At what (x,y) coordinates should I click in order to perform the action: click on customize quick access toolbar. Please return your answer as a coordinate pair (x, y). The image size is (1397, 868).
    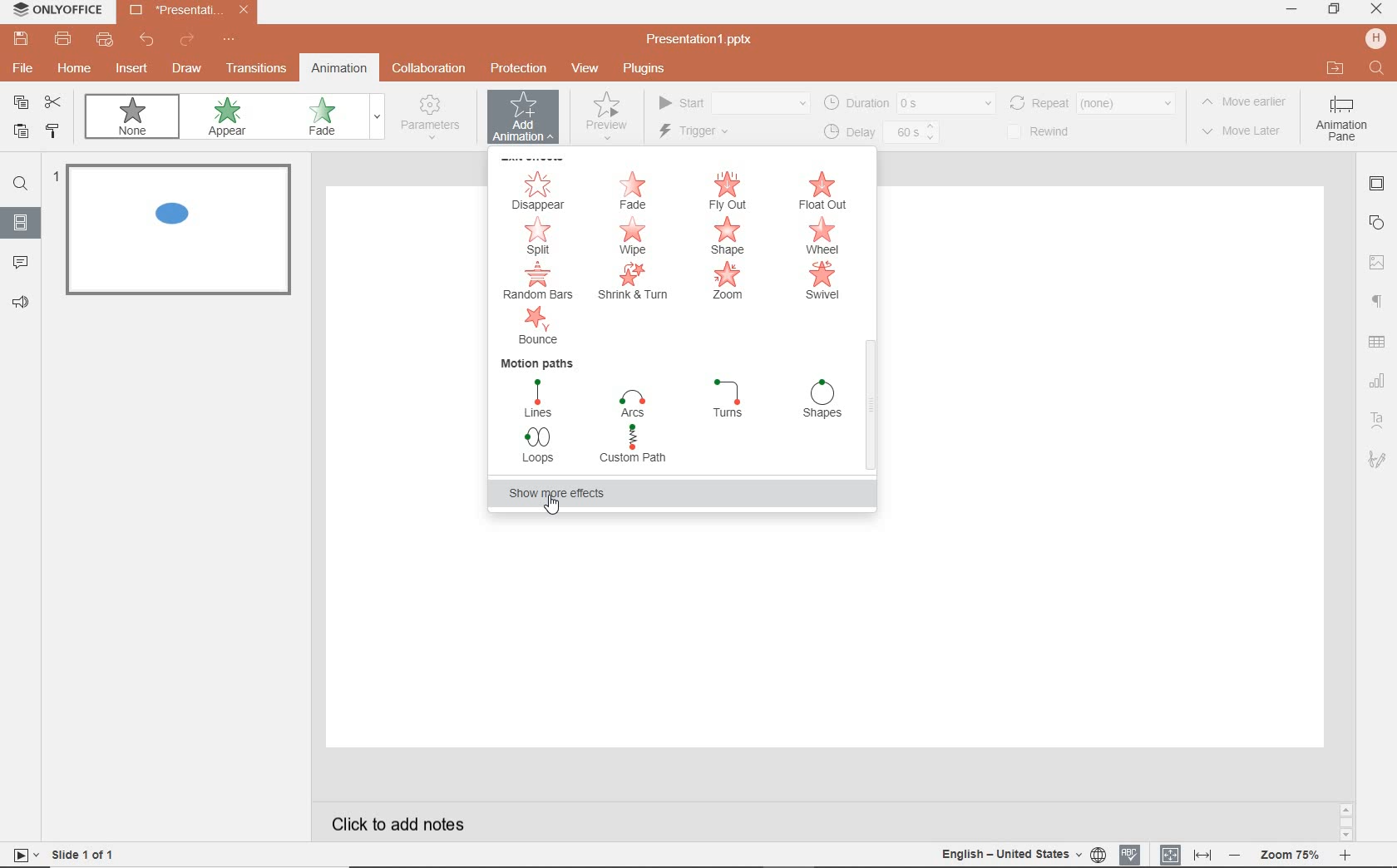
    Looking at the image, I should click on (230, 41).